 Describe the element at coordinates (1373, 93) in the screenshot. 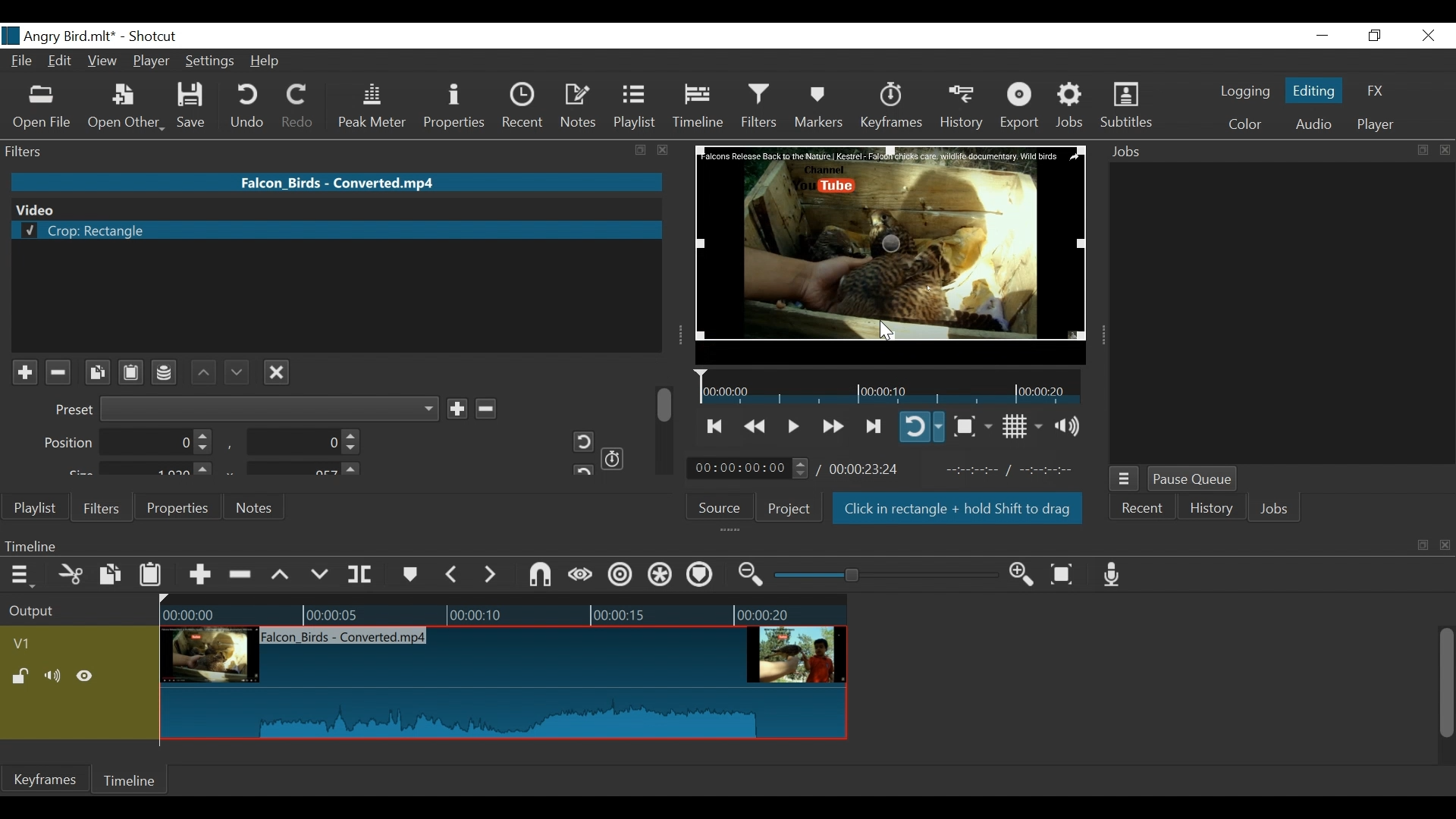

I see `FX` at that location.